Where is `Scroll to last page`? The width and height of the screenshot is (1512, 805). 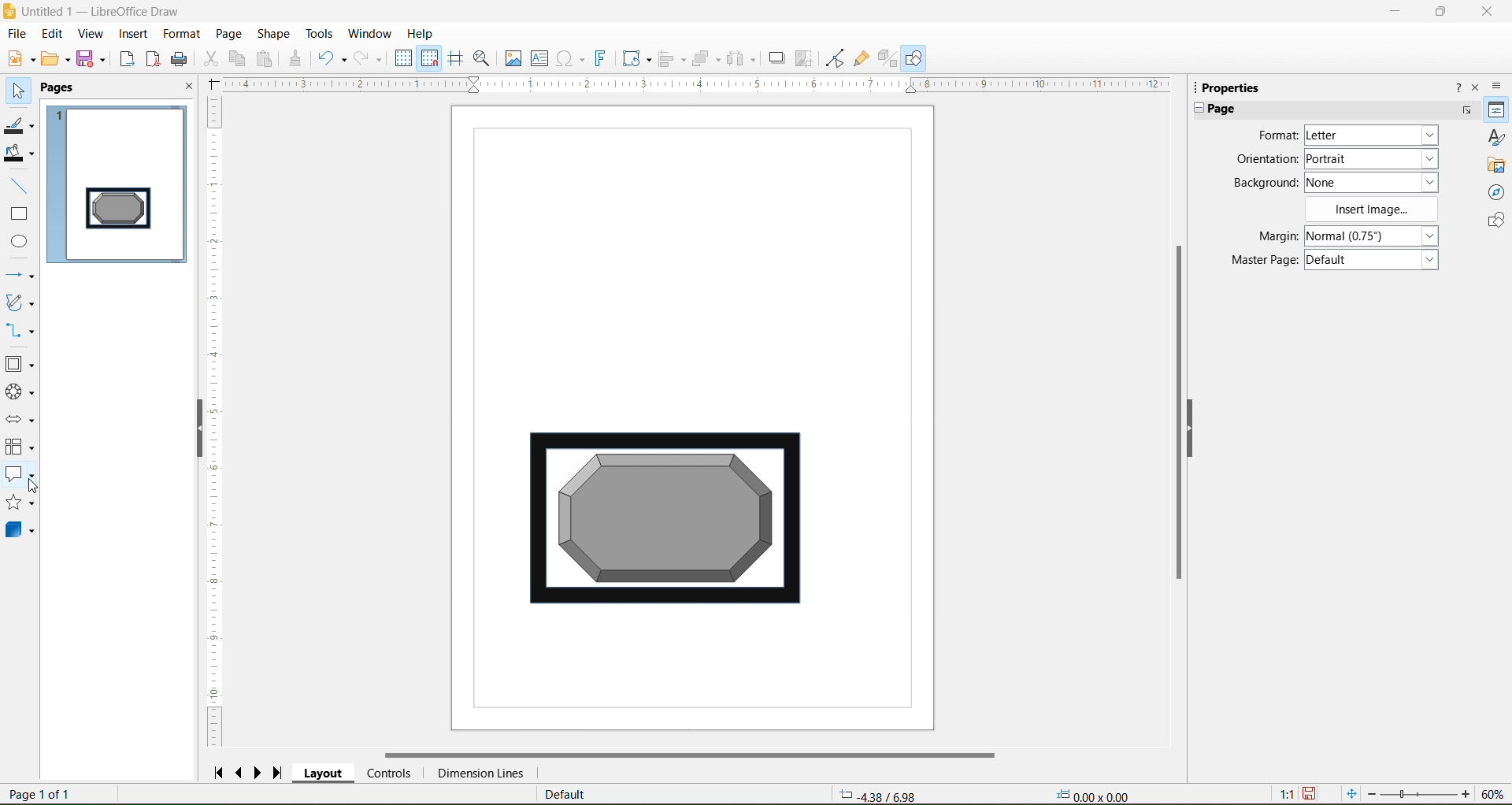 Scroll to last page is located at coordinates (283, 770).